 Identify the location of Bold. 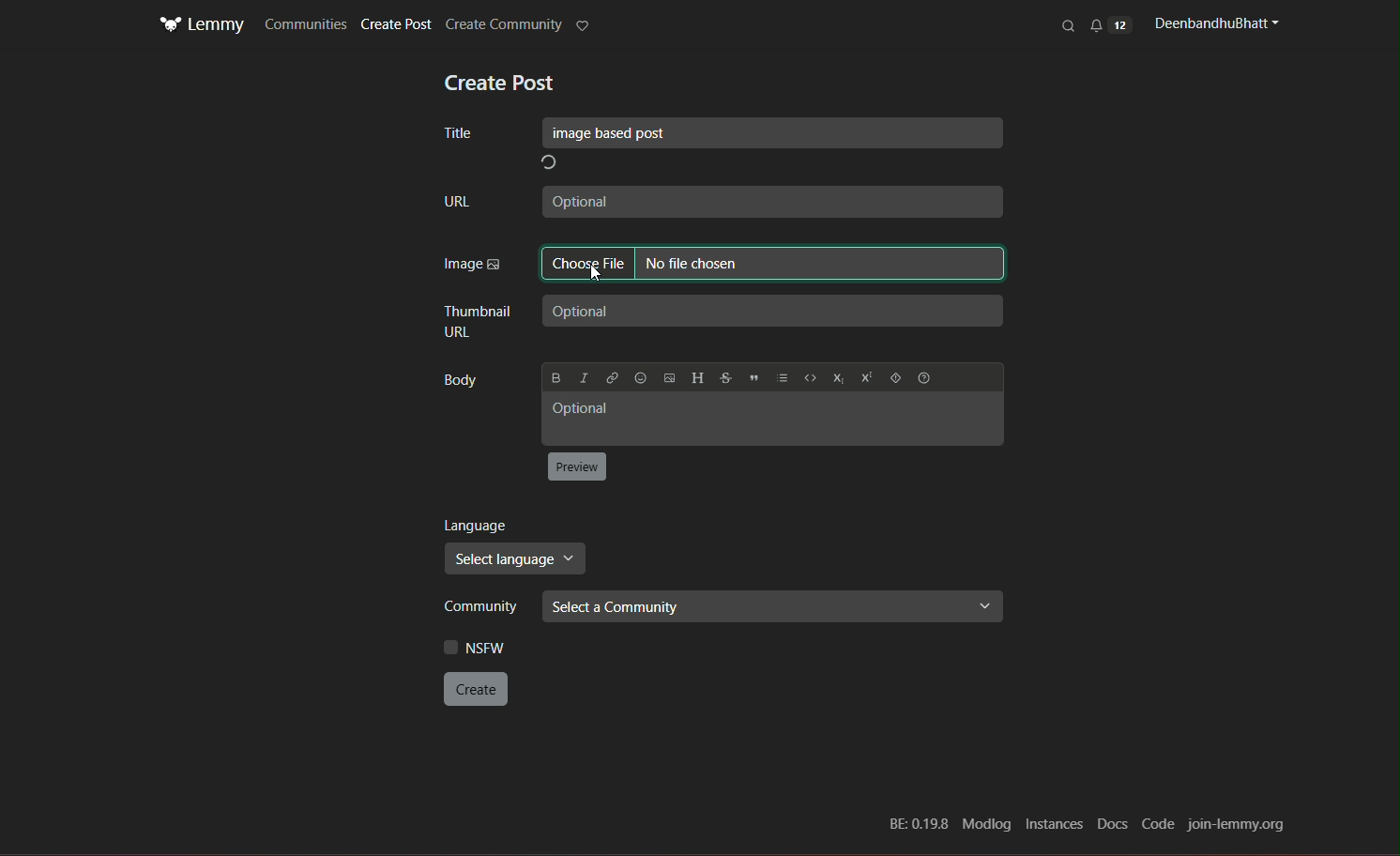
(555, 375).